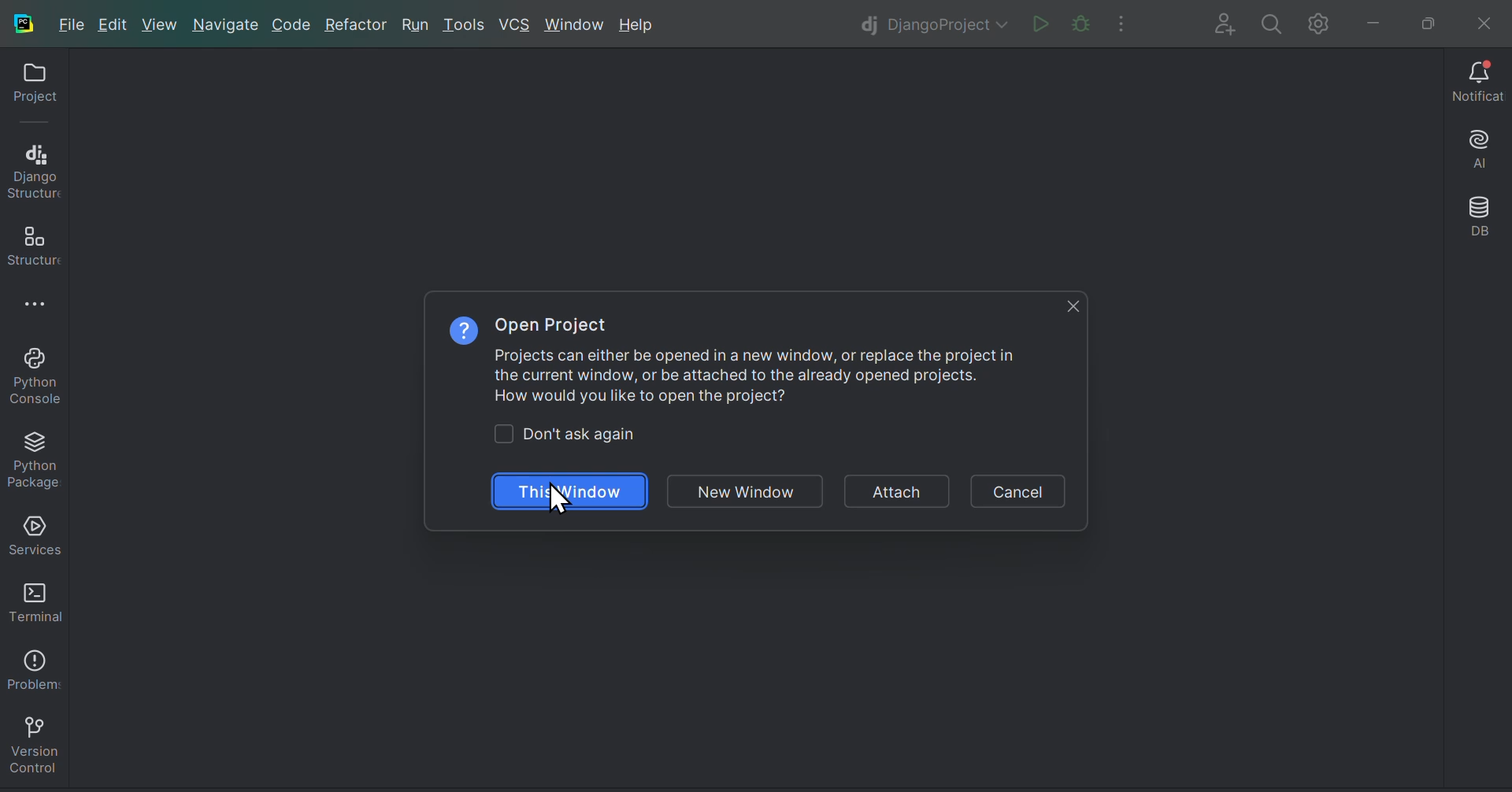 The width and height of the screenshot is (1512, 792). Describe the element at coordinates (116, 25) in the screenshot. I see `Edit` at that location.